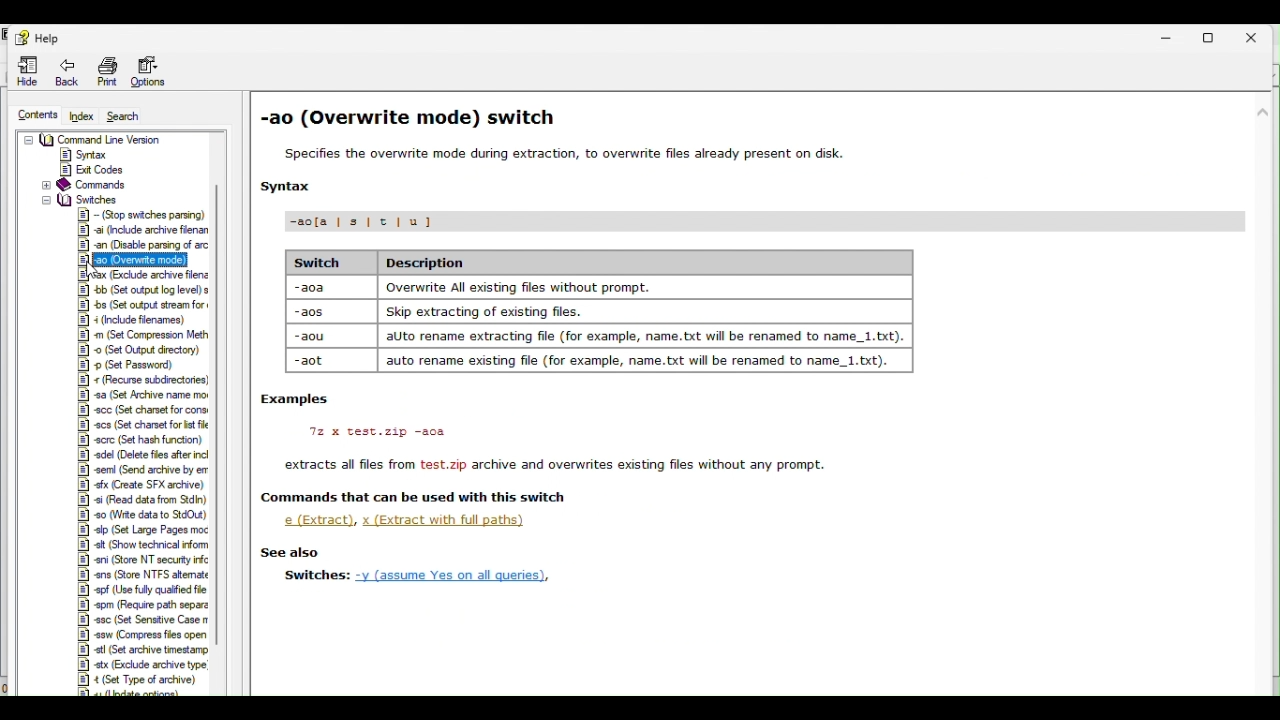 The image size is (1280, 720). What do you see at coordinates (145, 664) in the screenshot?
I see `[8] atx (Exclude archive type` at bounding box center [145, 664].